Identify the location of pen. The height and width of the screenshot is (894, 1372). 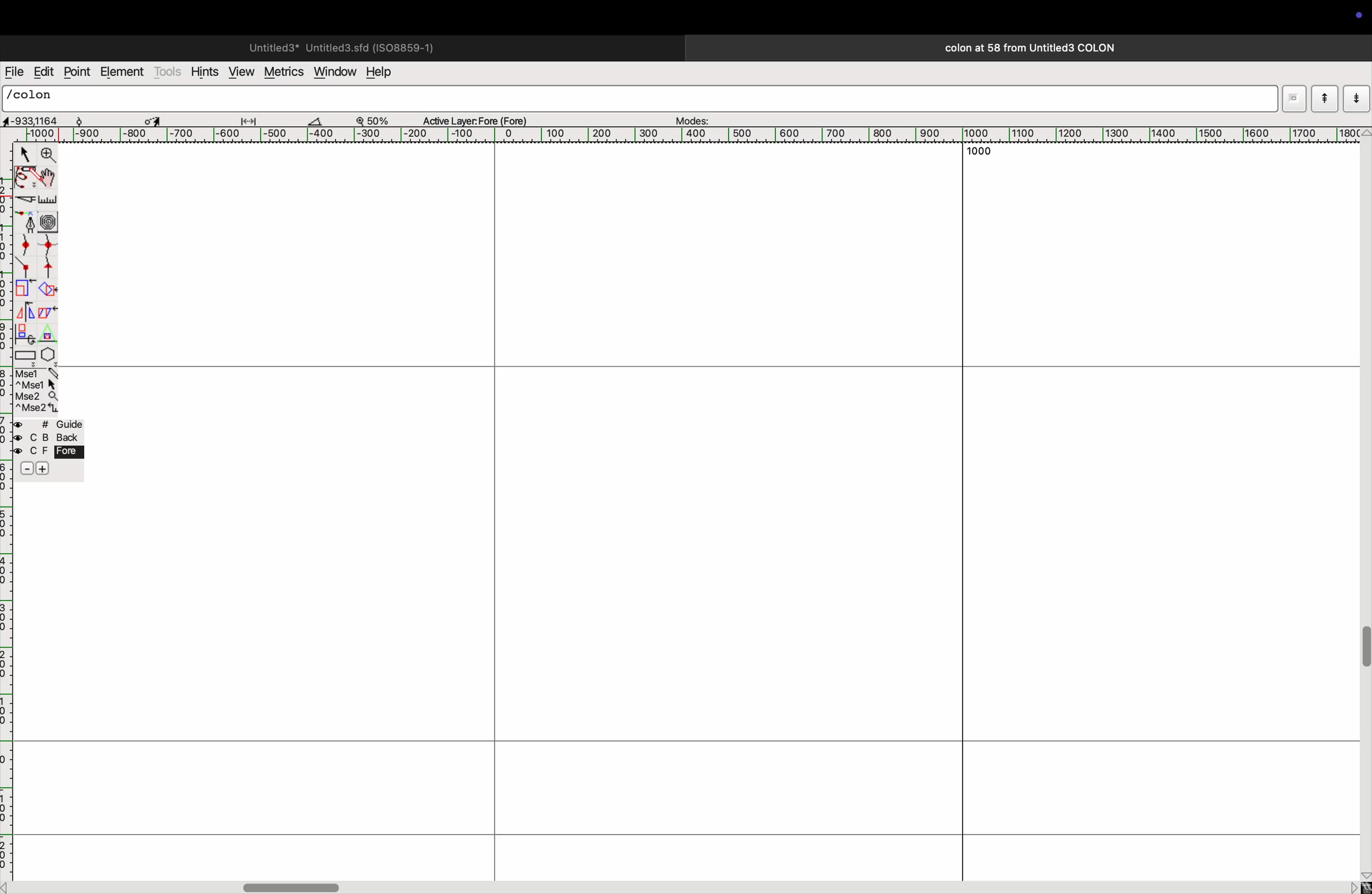
(25, 179).